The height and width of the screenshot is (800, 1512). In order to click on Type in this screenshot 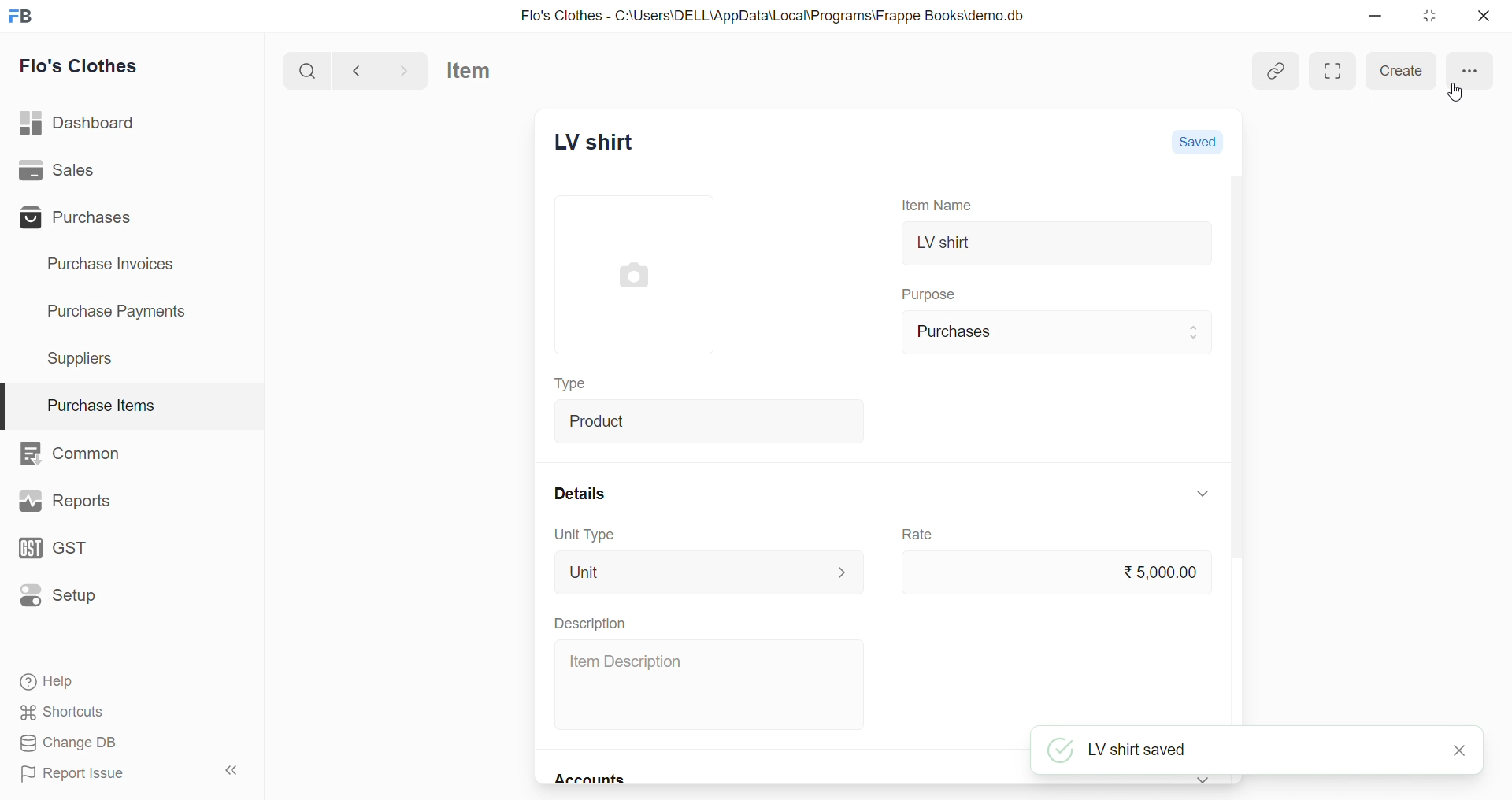, I will do `click(577, 385)`.